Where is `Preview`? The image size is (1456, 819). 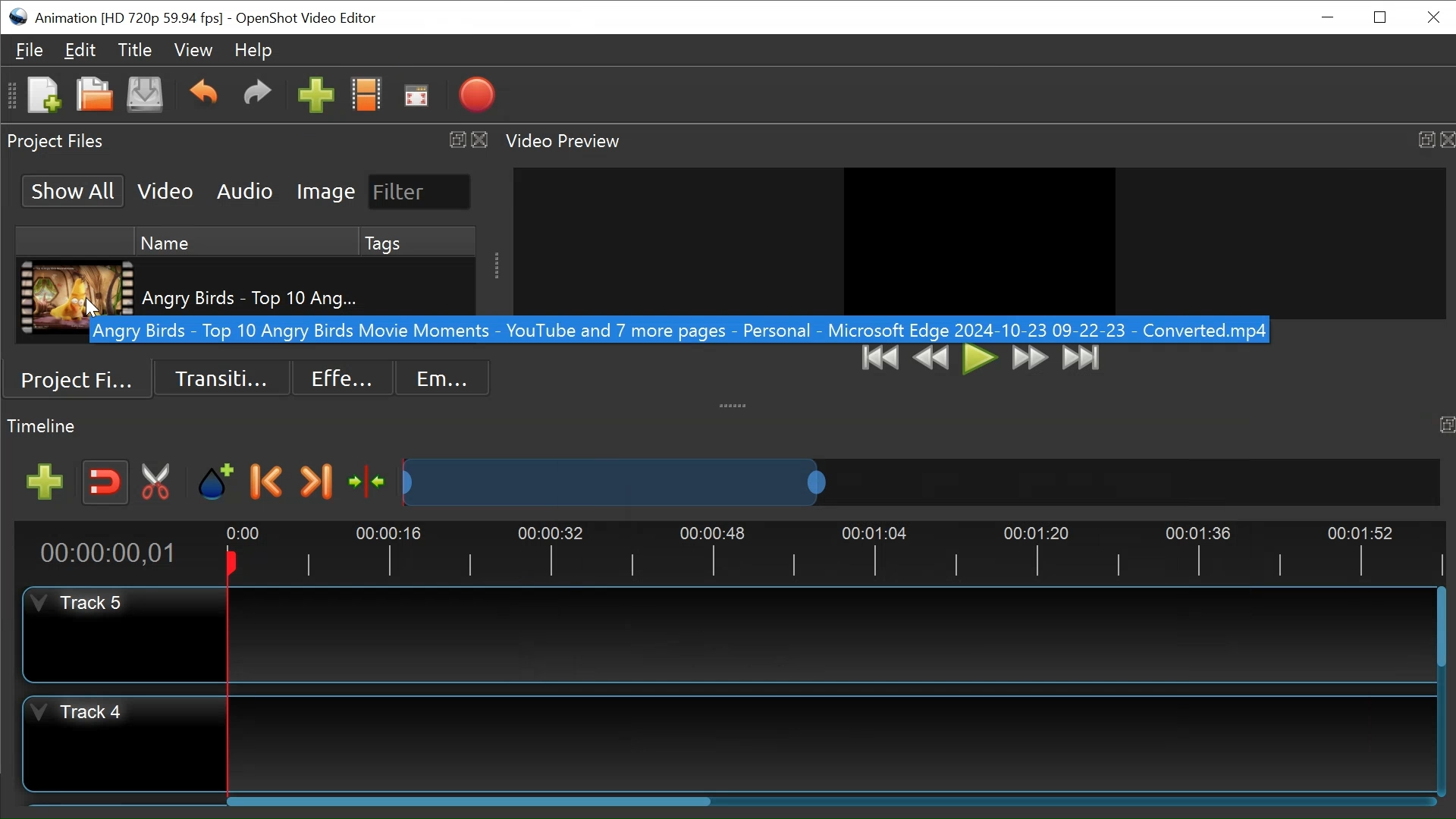
Preview is located at coordinates (934, 359).